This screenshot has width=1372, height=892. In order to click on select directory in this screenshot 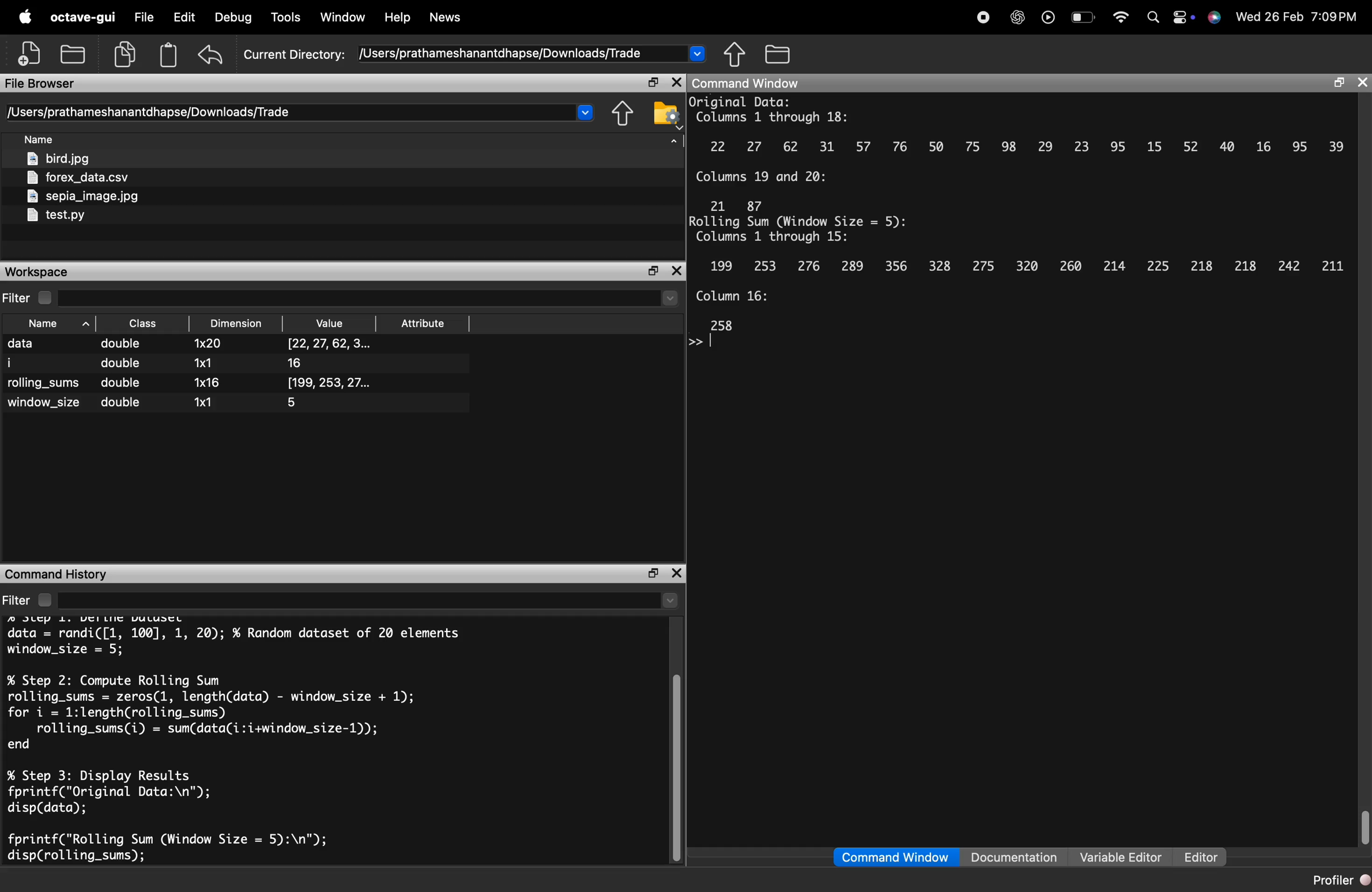, I will do `click(375, 602)`.